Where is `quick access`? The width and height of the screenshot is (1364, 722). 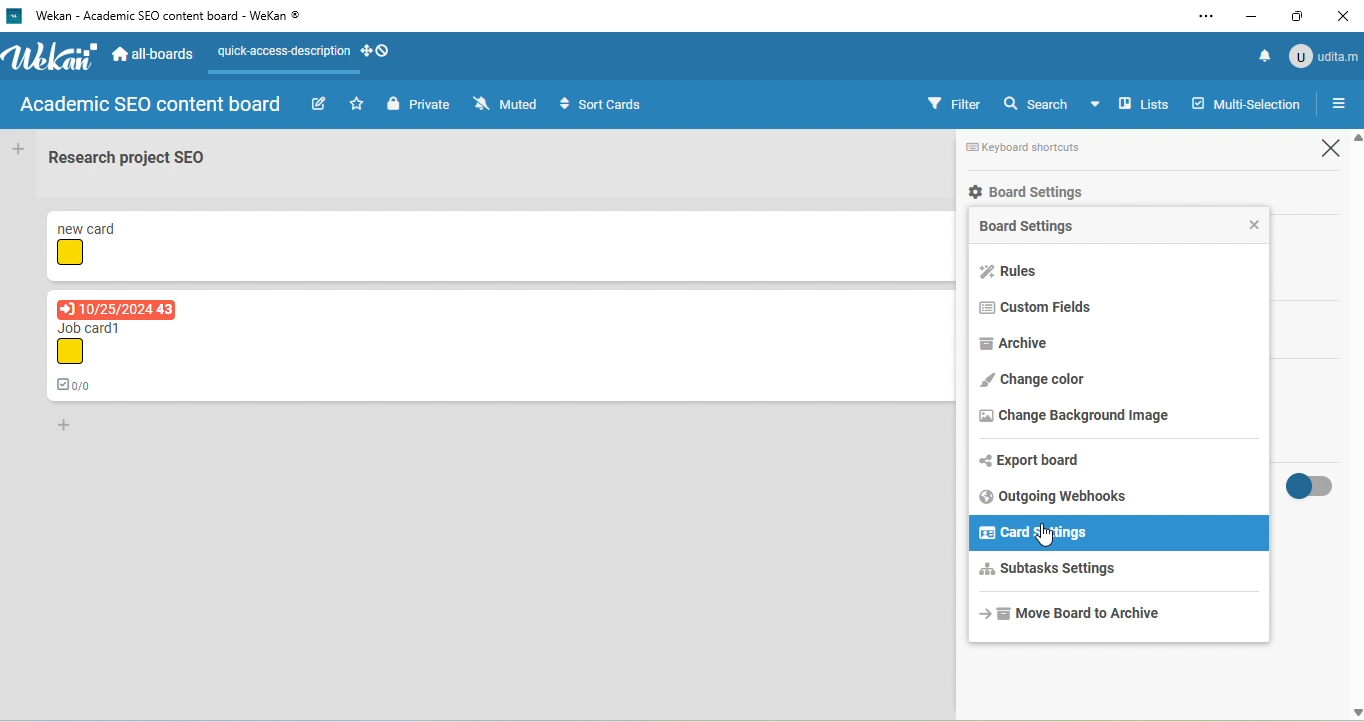 quick access is located at coordinates (308, 51).